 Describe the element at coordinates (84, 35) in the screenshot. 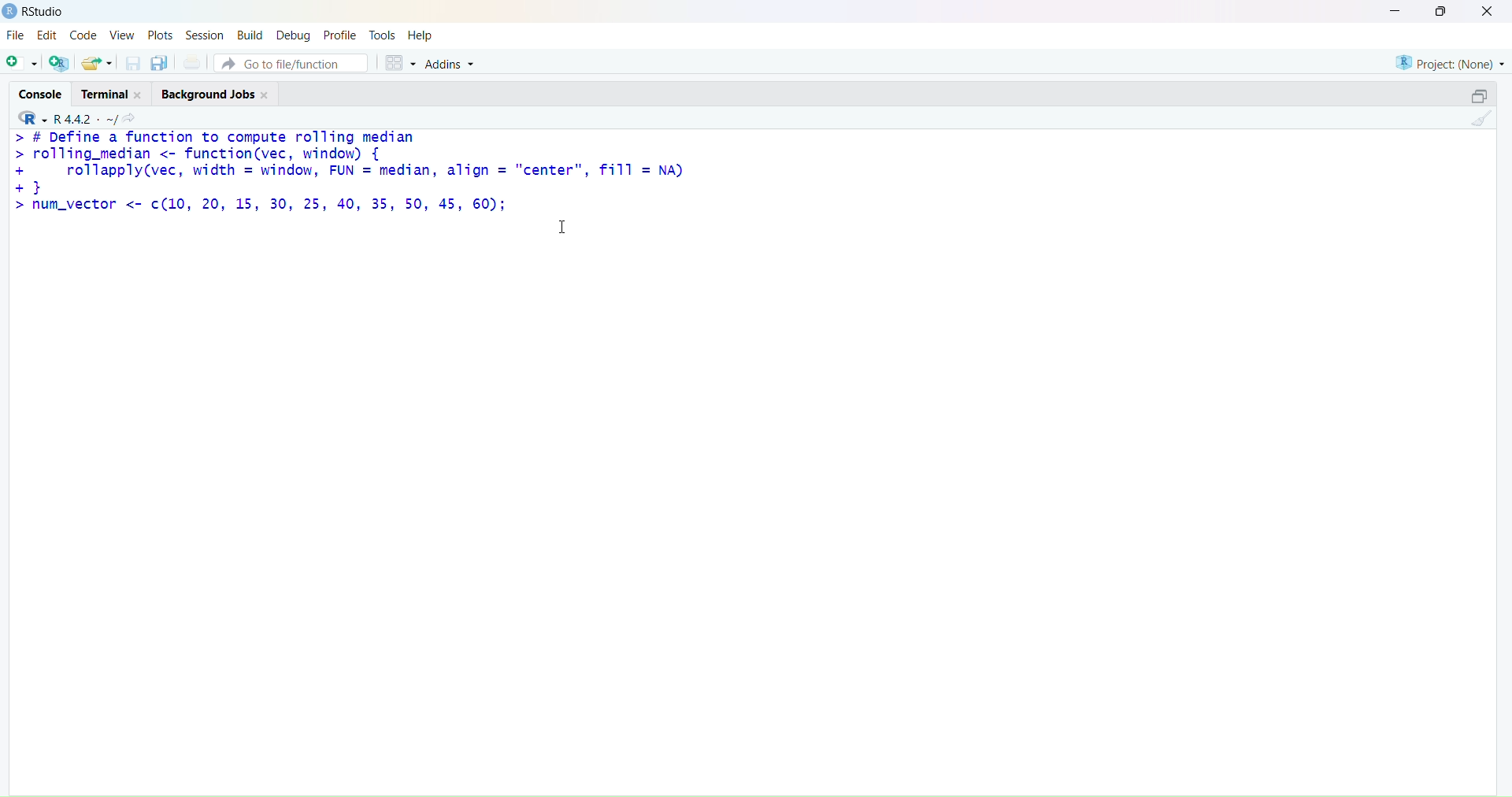

I see `code` at that location.